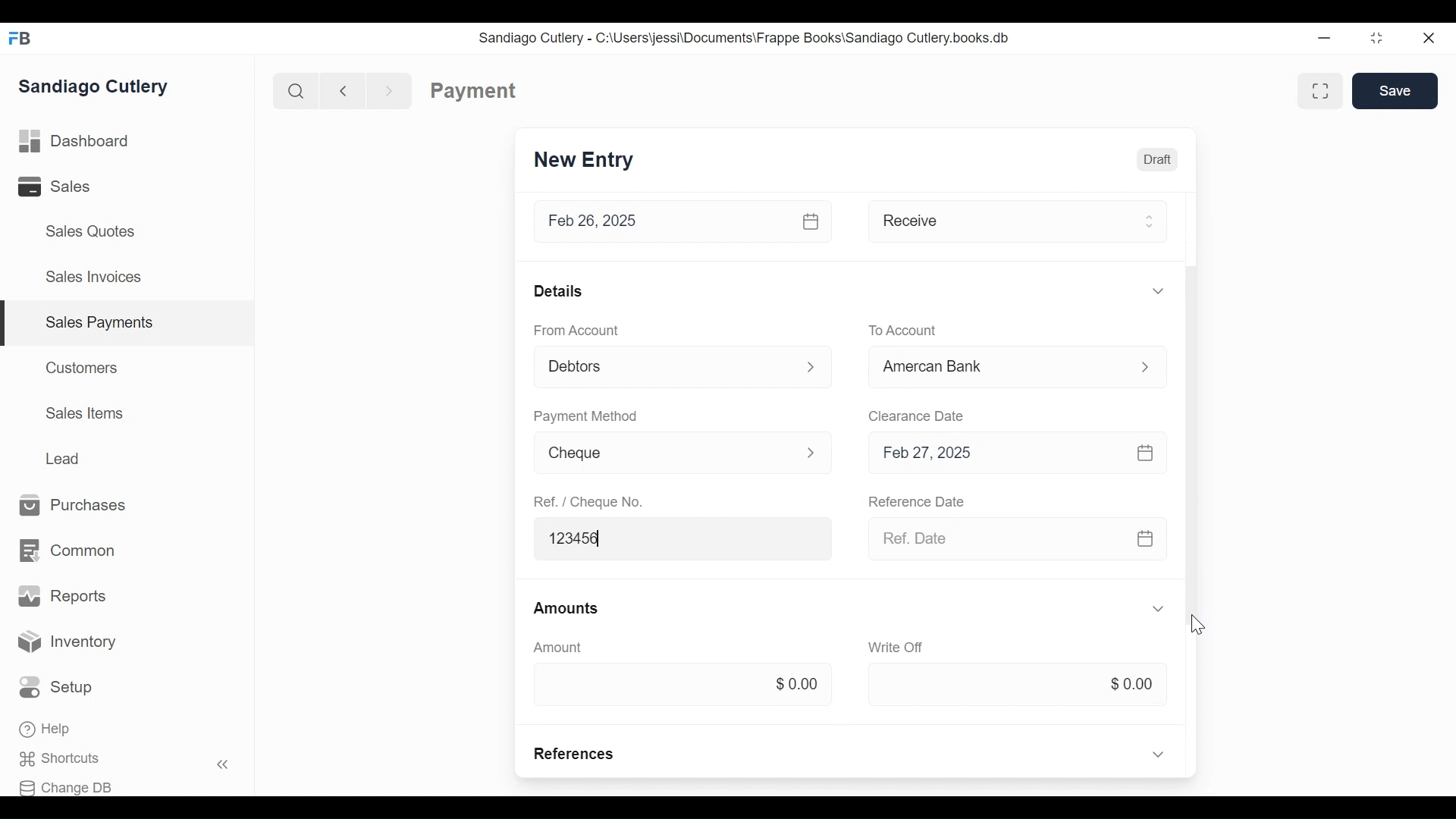 The height and width of the screenshot is (819, 1456). I want to click on $0.00, so click(679, 682).